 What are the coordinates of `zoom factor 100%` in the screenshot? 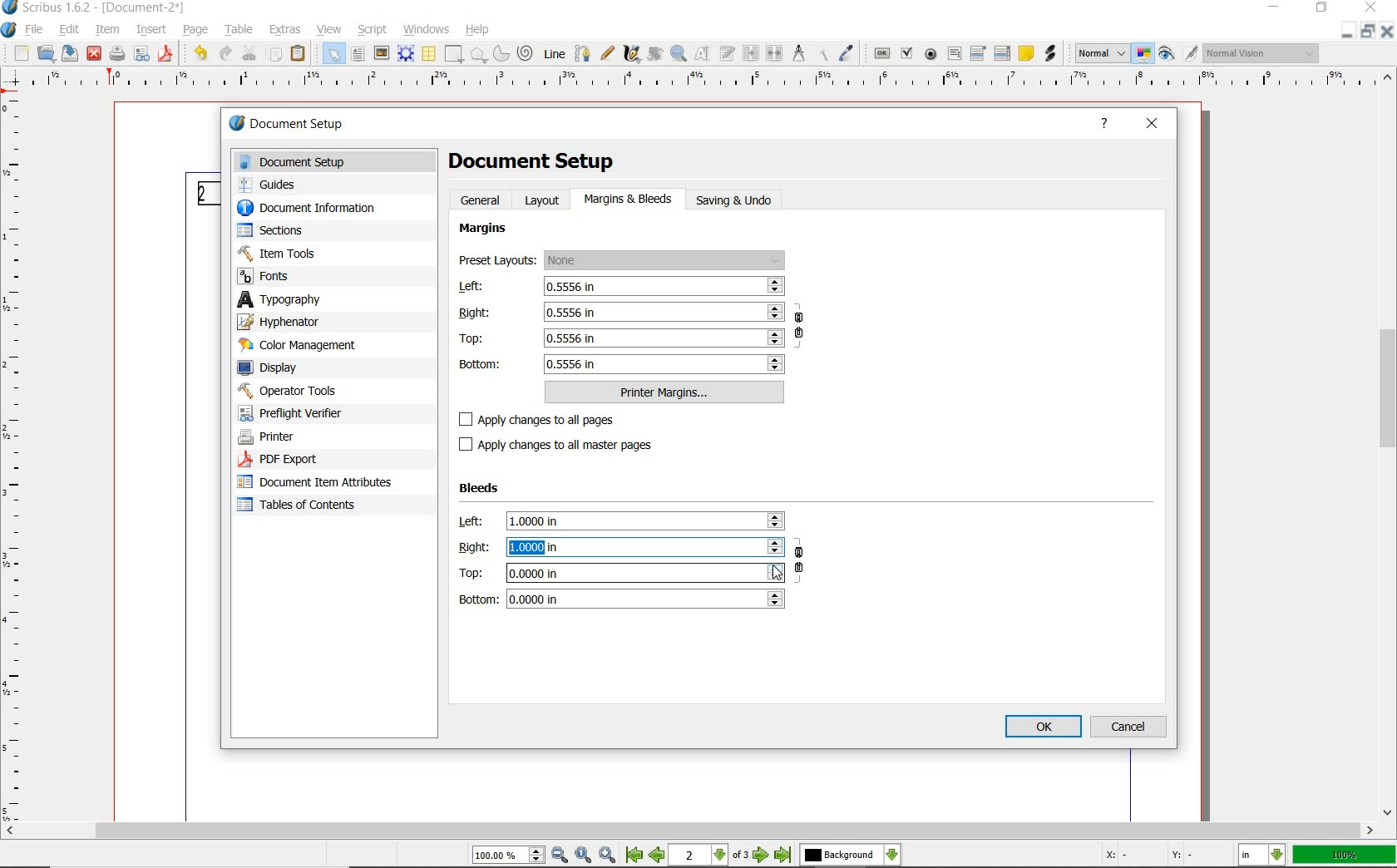 It's located at (1345, 856).